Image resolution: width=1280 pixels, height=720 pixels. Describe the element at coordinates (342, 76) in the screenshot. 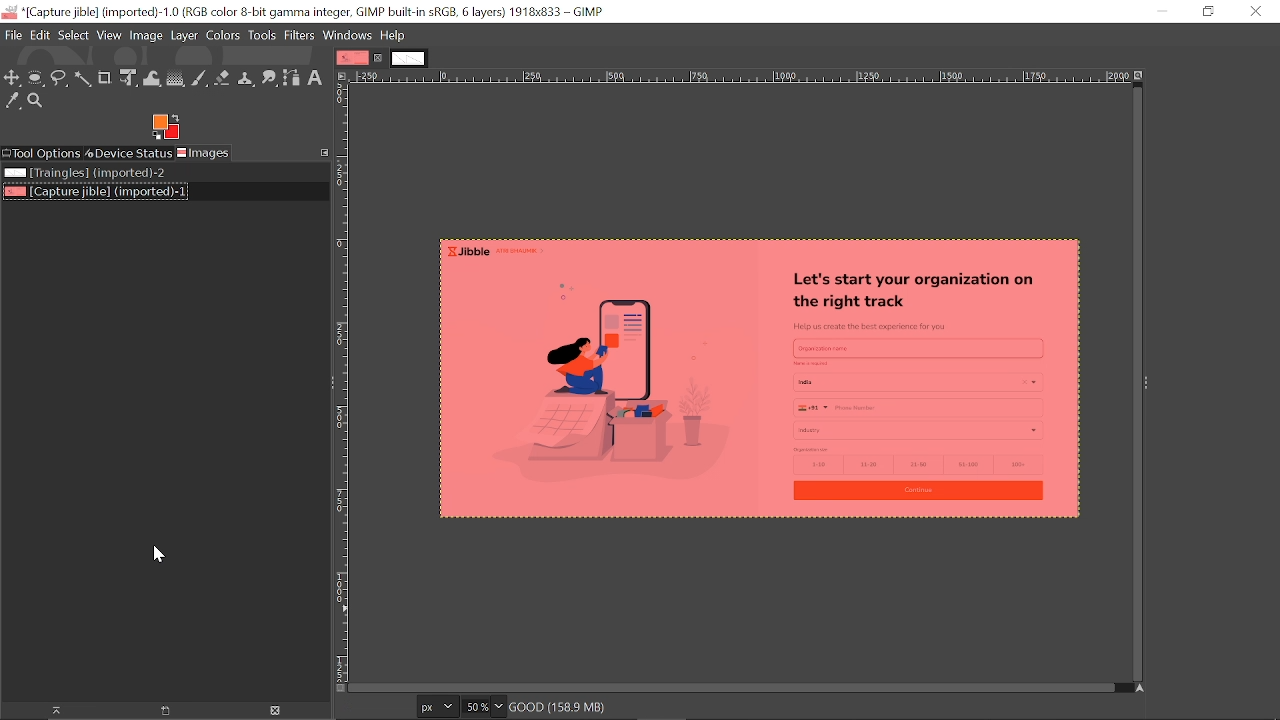

I see `Access this image menu` at that location.